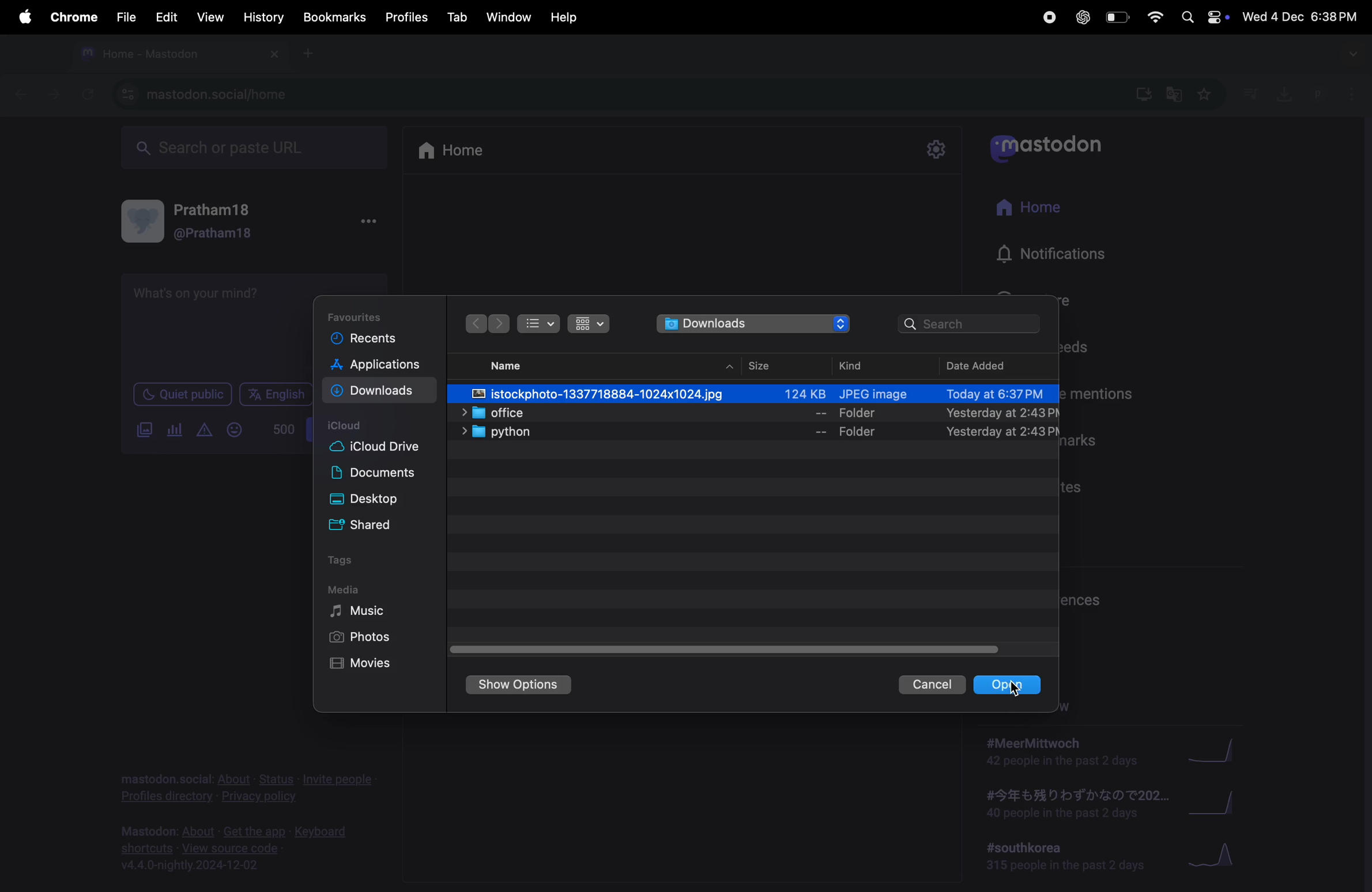  What do you see at coordinates (367, 224) in the screenshot?
I see `options` at bounding box center [367, 224].